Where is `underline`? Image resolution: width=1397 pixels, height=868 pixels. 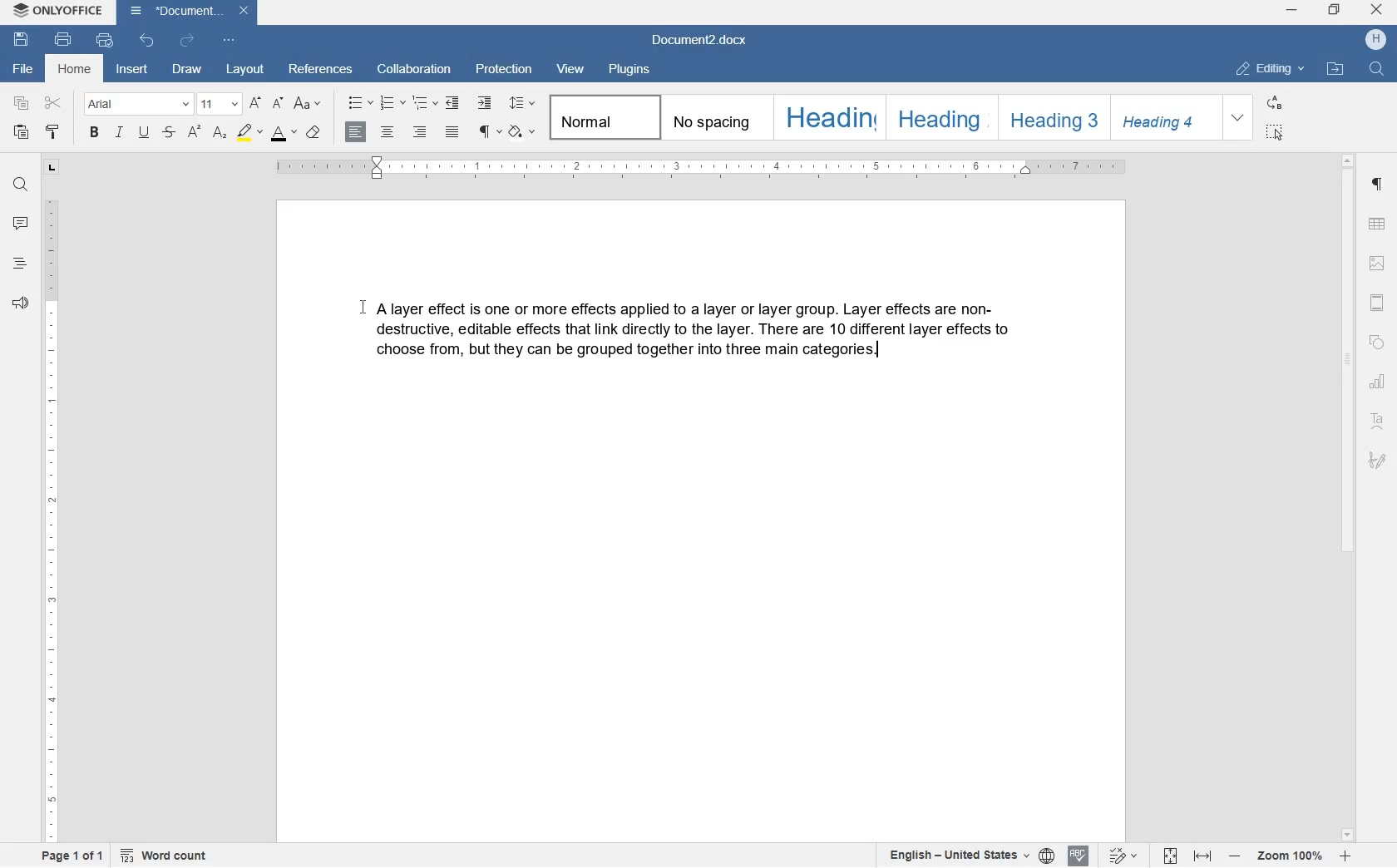
underline is located at coordinates (146, 133).